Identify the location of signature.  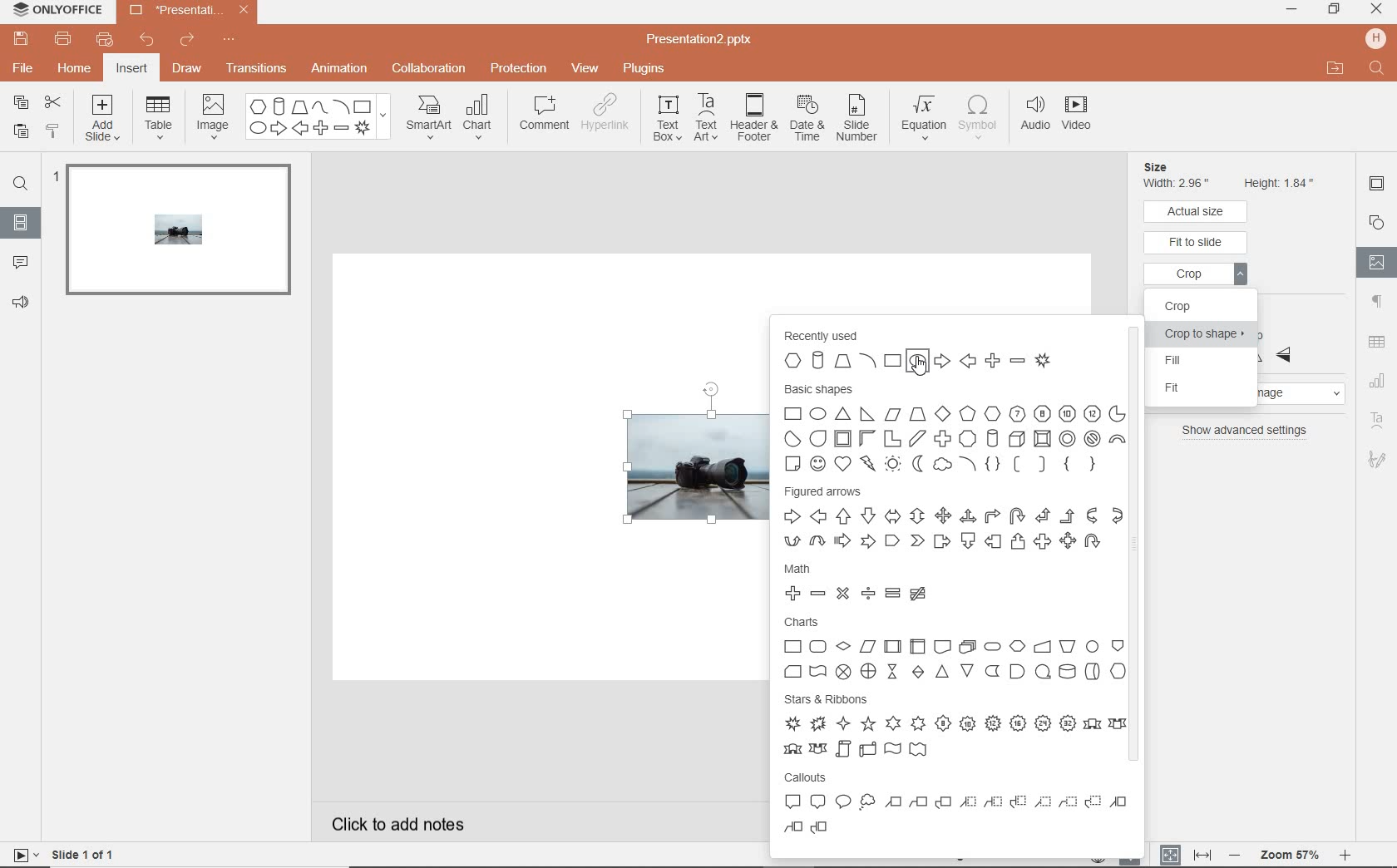
(1377, 460).